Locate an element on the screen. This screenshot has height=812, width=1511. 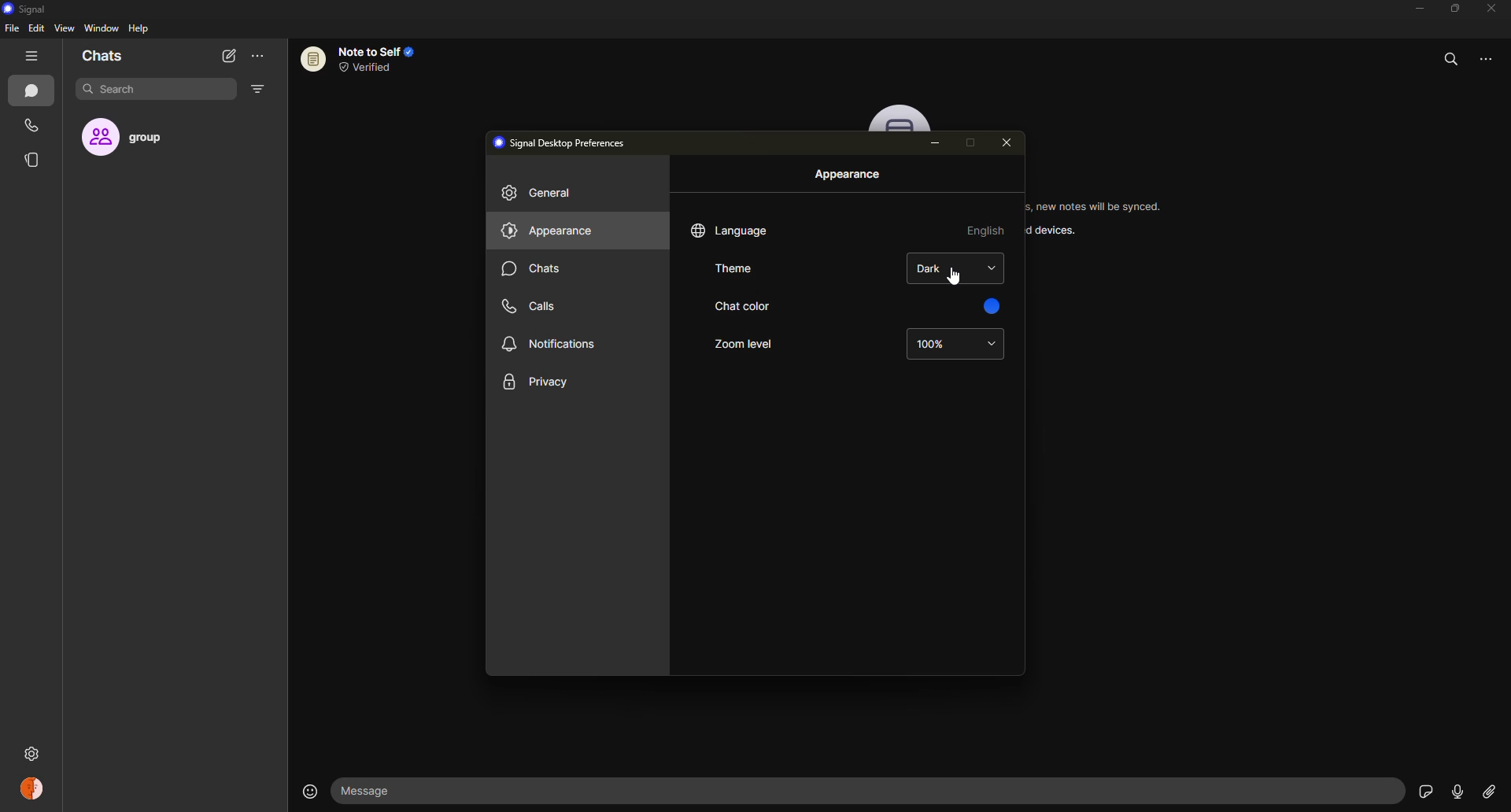
language is located at coordinates (732, 230).